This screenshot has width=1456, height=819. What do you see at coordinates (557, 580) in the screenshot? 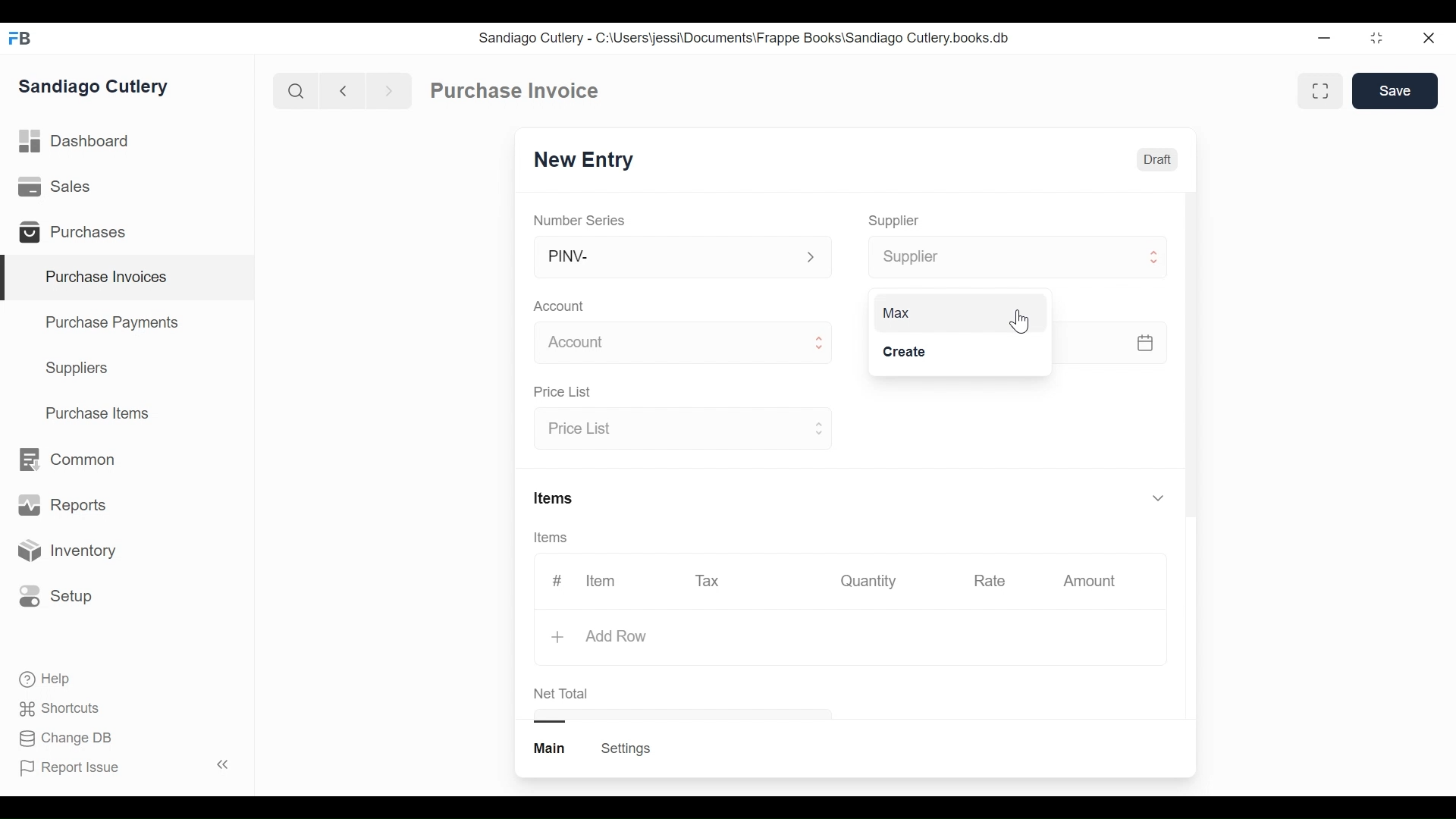
I see `#` at bounding box center [557, 580].